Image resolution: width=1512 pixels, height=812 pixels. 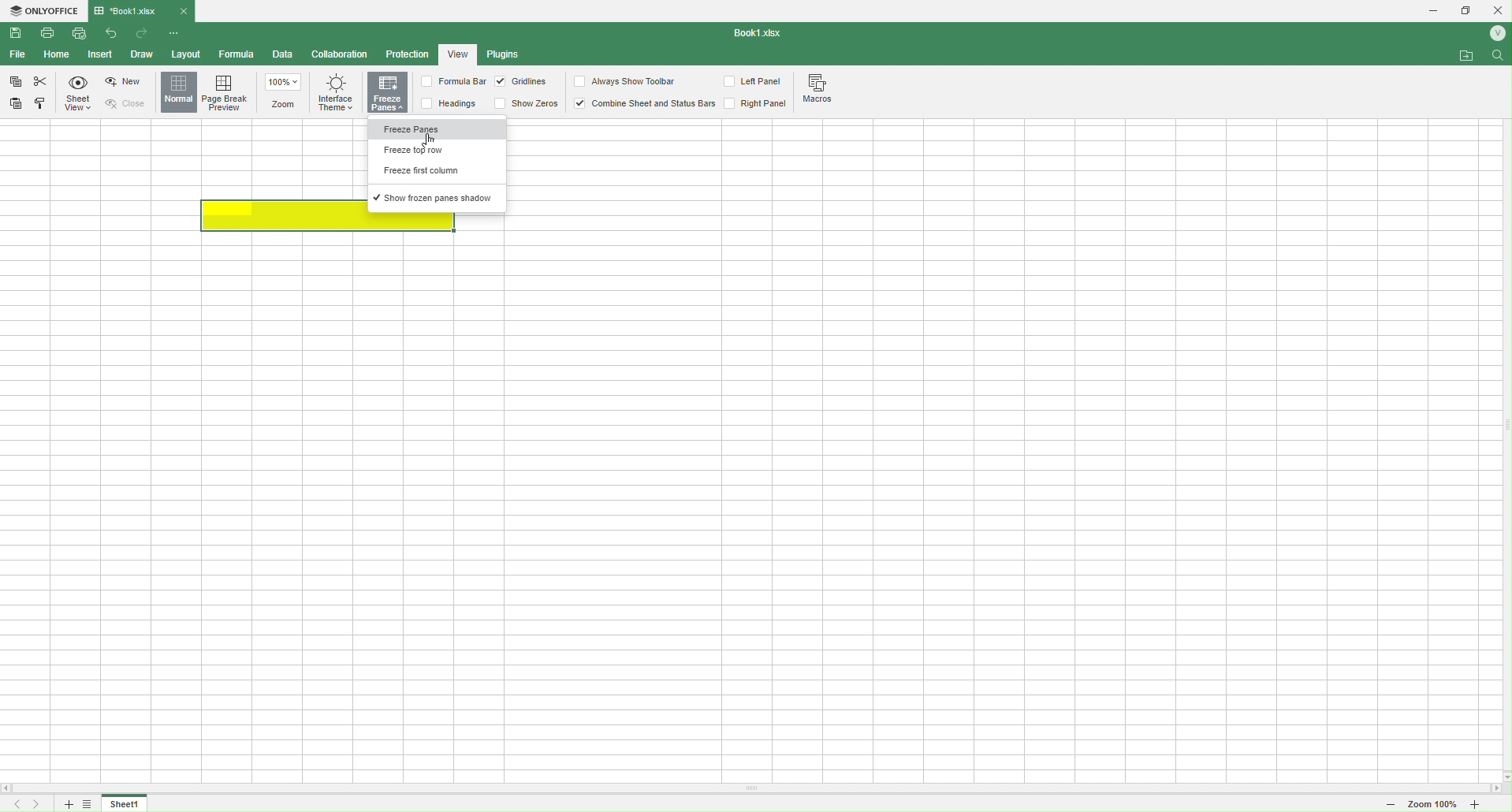 I want to click on Right Panel, so click(x=756, y=104).